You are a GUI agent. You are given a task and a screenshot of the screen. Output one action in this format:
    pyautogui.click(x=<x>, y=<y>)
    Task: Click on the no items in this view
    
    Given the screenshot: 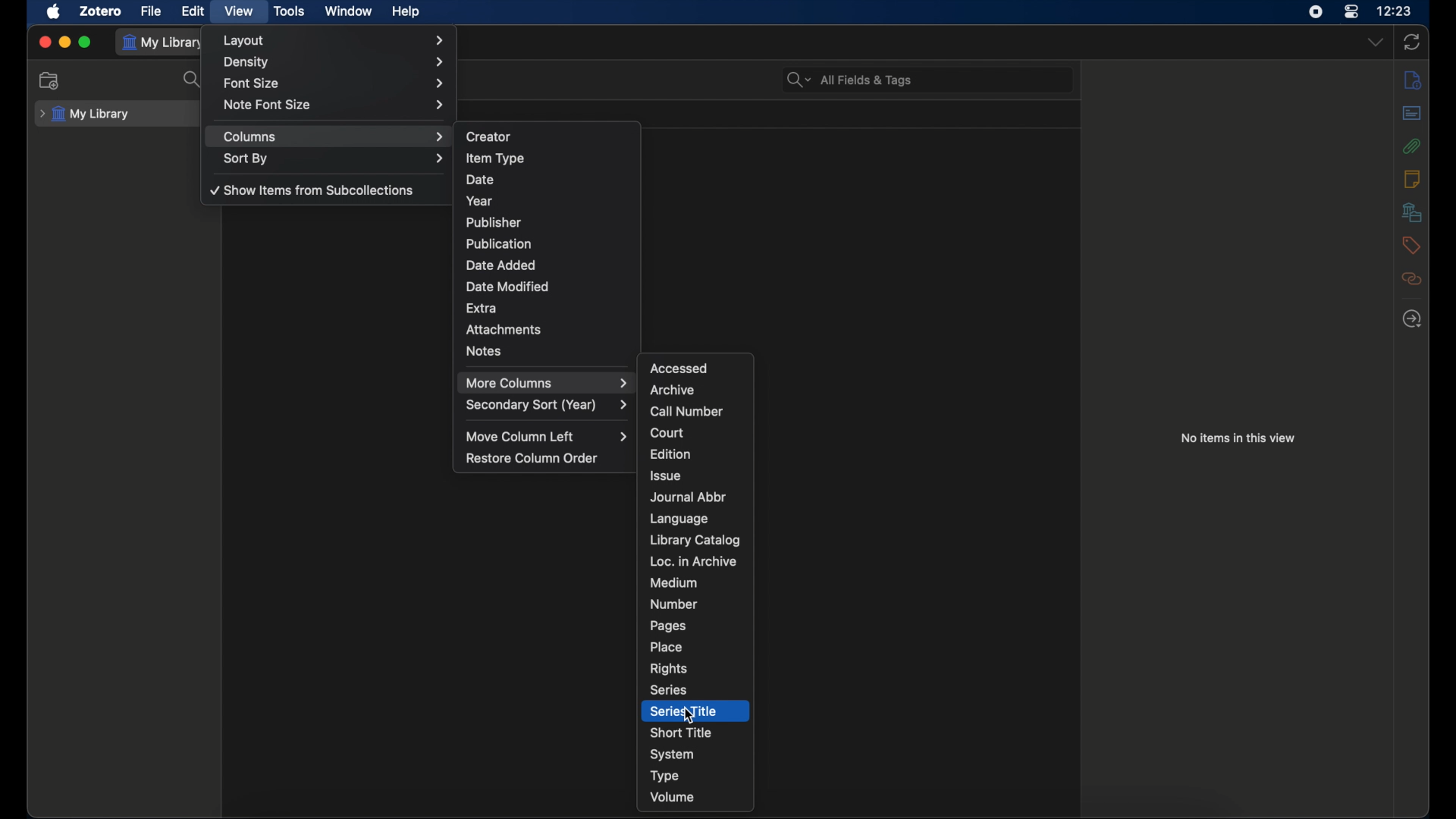 What is the action you would take?
    pyautogui.click(x=1241, y=438)
    